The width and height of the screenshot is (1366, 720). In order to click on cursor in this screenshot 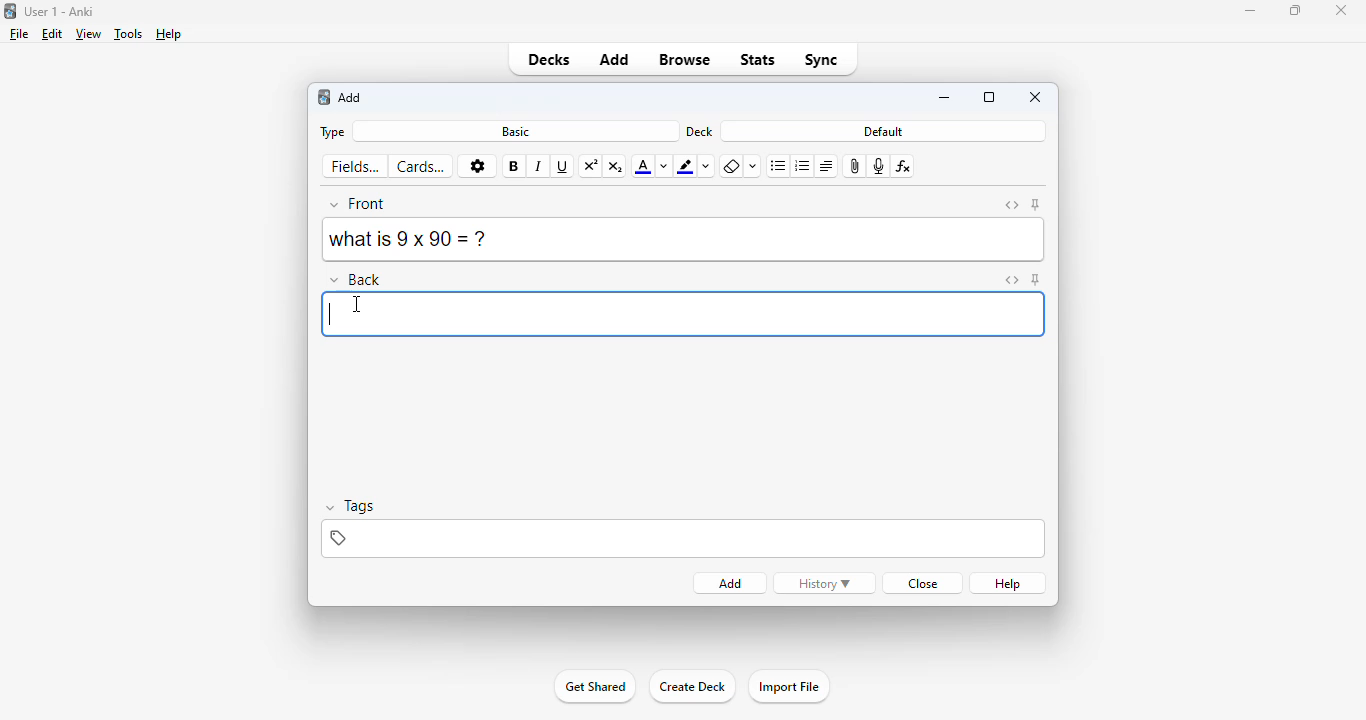, I will do `click(357, 305)`.